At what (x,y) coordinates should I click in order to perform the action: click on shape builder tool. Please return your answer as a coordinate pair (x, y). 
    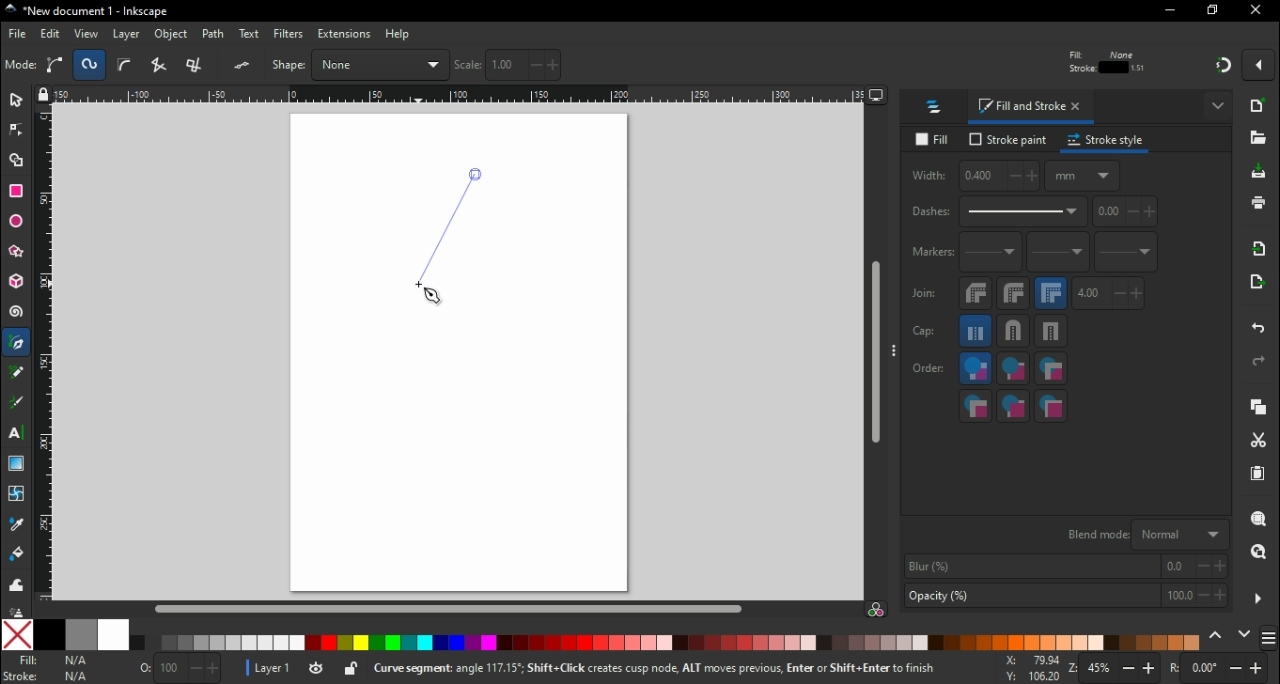
    Looking at the image, I should click on (19, 162).